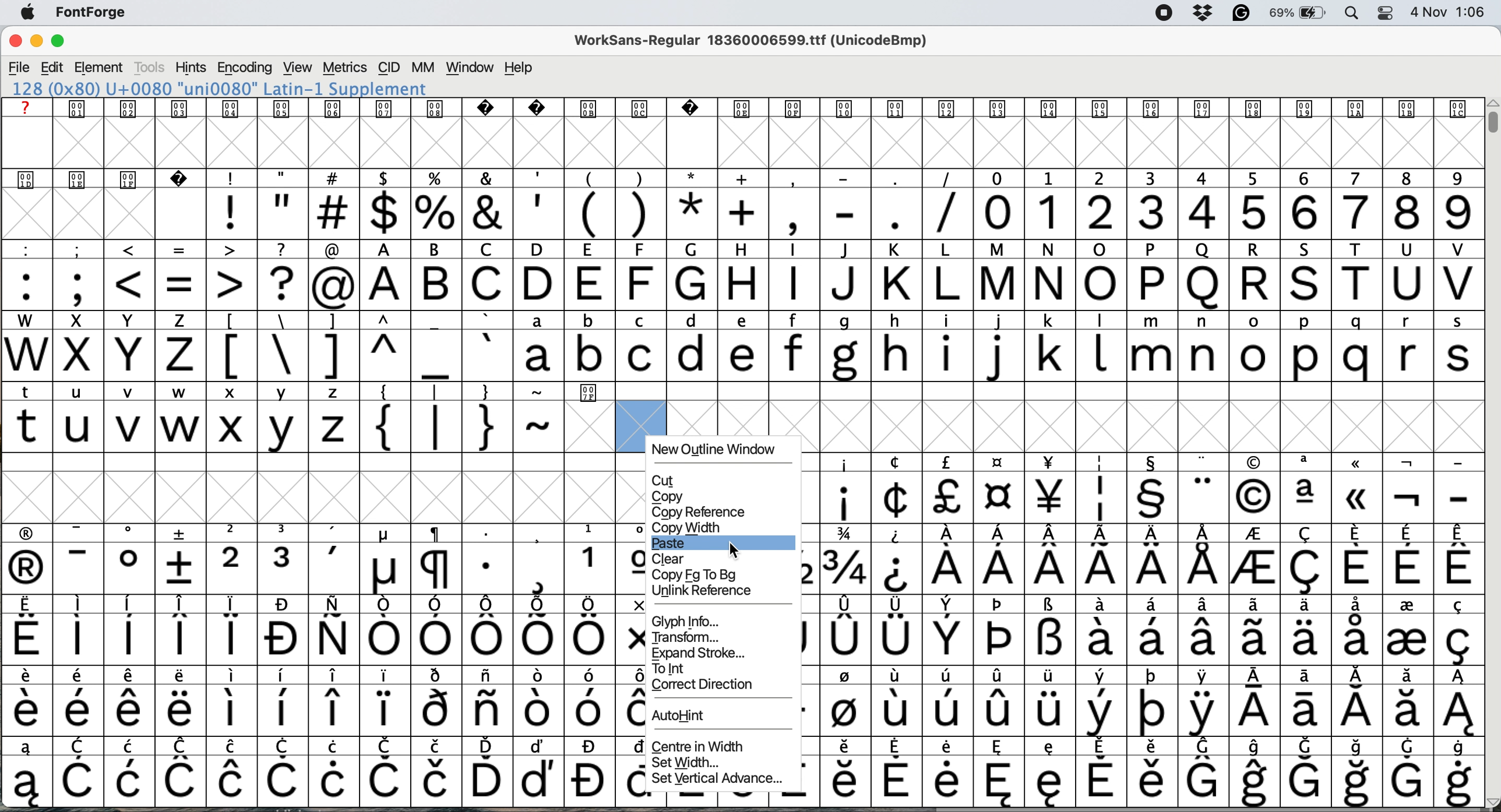 The image size is (1501, 812). I want to click on special characters, so click(355, 355).